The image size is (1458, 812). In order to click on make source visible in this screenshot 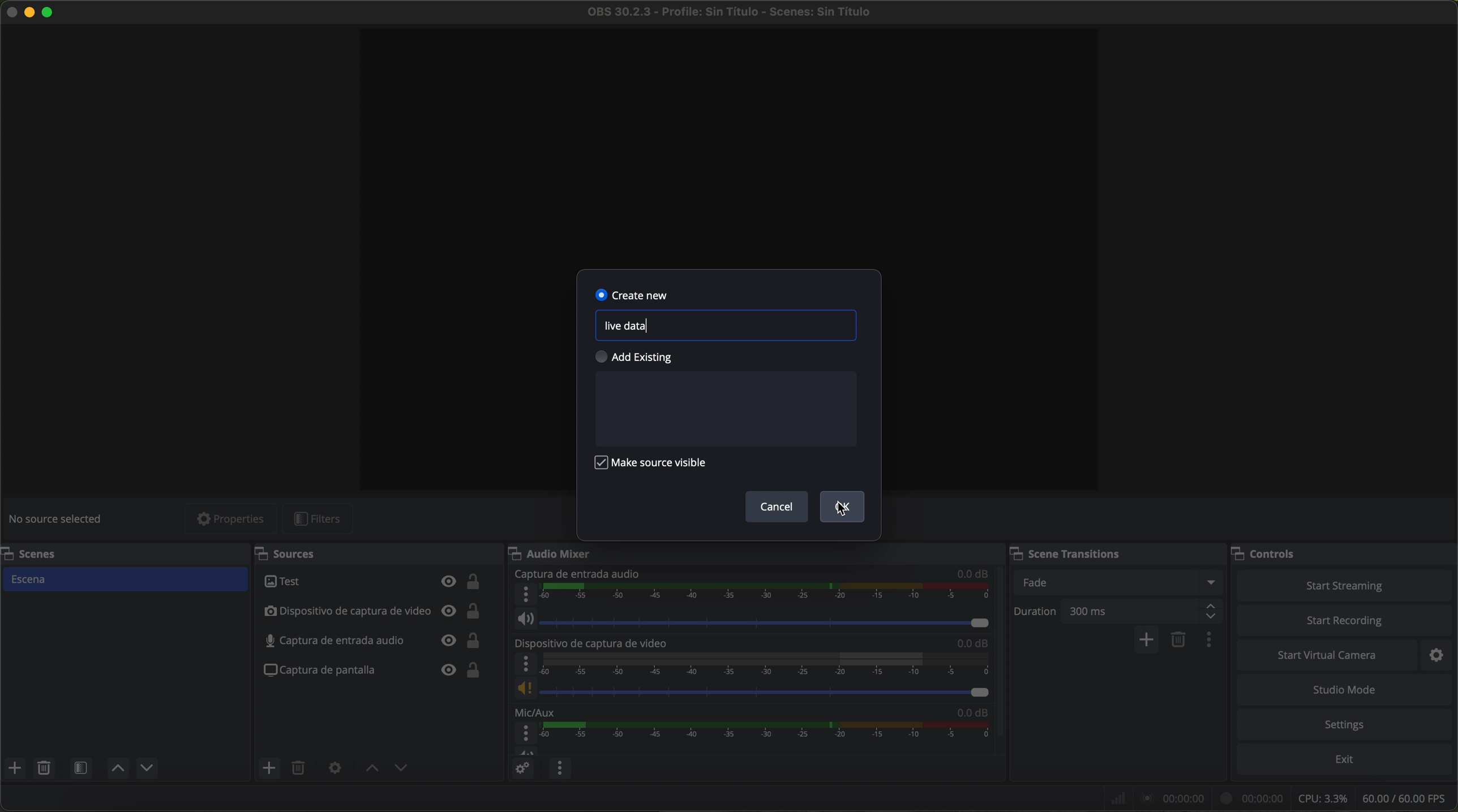, I will do `click(655, 466)`.